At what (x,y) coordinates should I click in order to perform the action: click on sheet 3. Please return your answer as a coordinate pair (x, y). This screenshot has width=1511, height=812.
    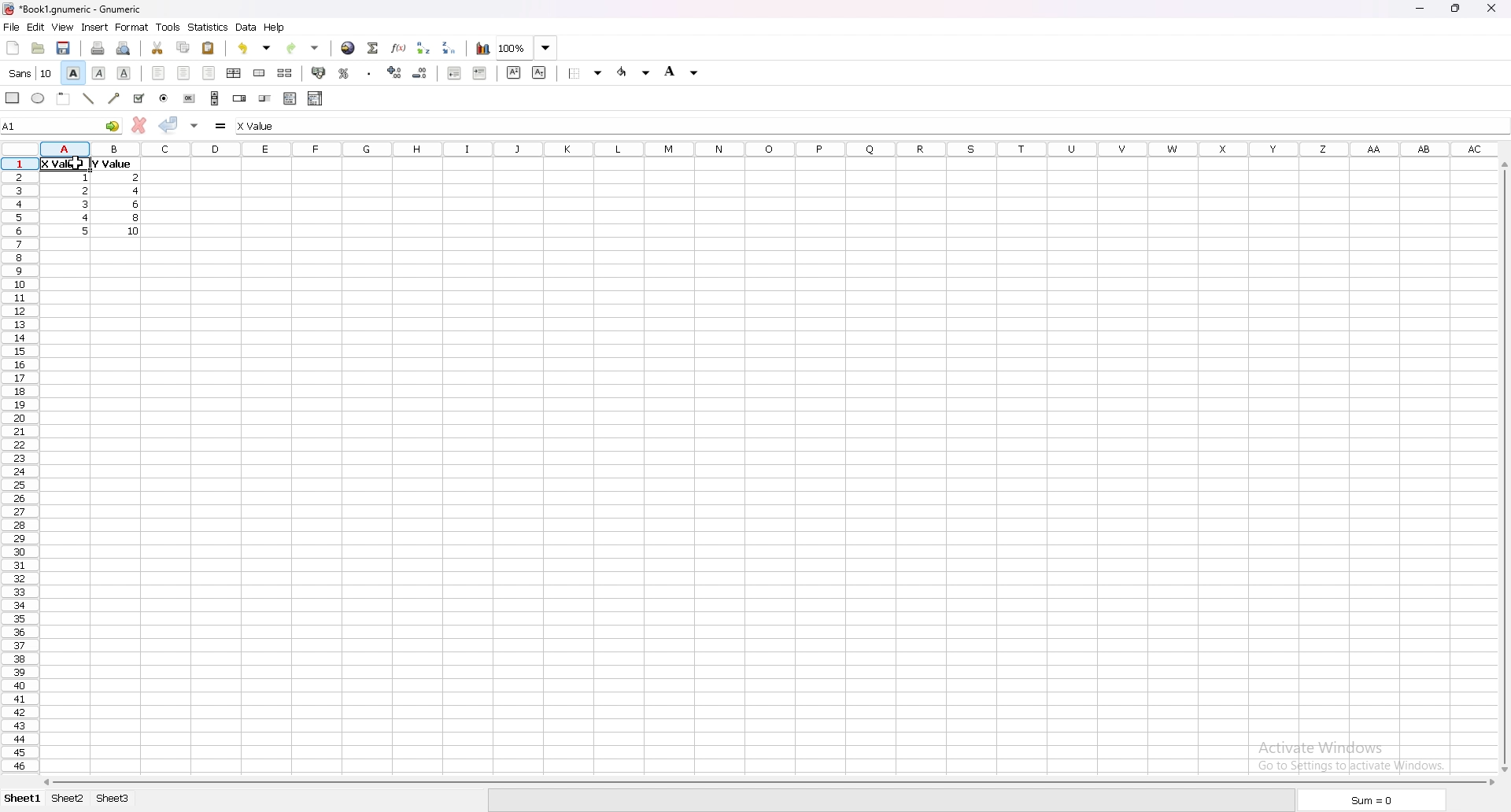
    Looking at the image, I should click on (113, 799).